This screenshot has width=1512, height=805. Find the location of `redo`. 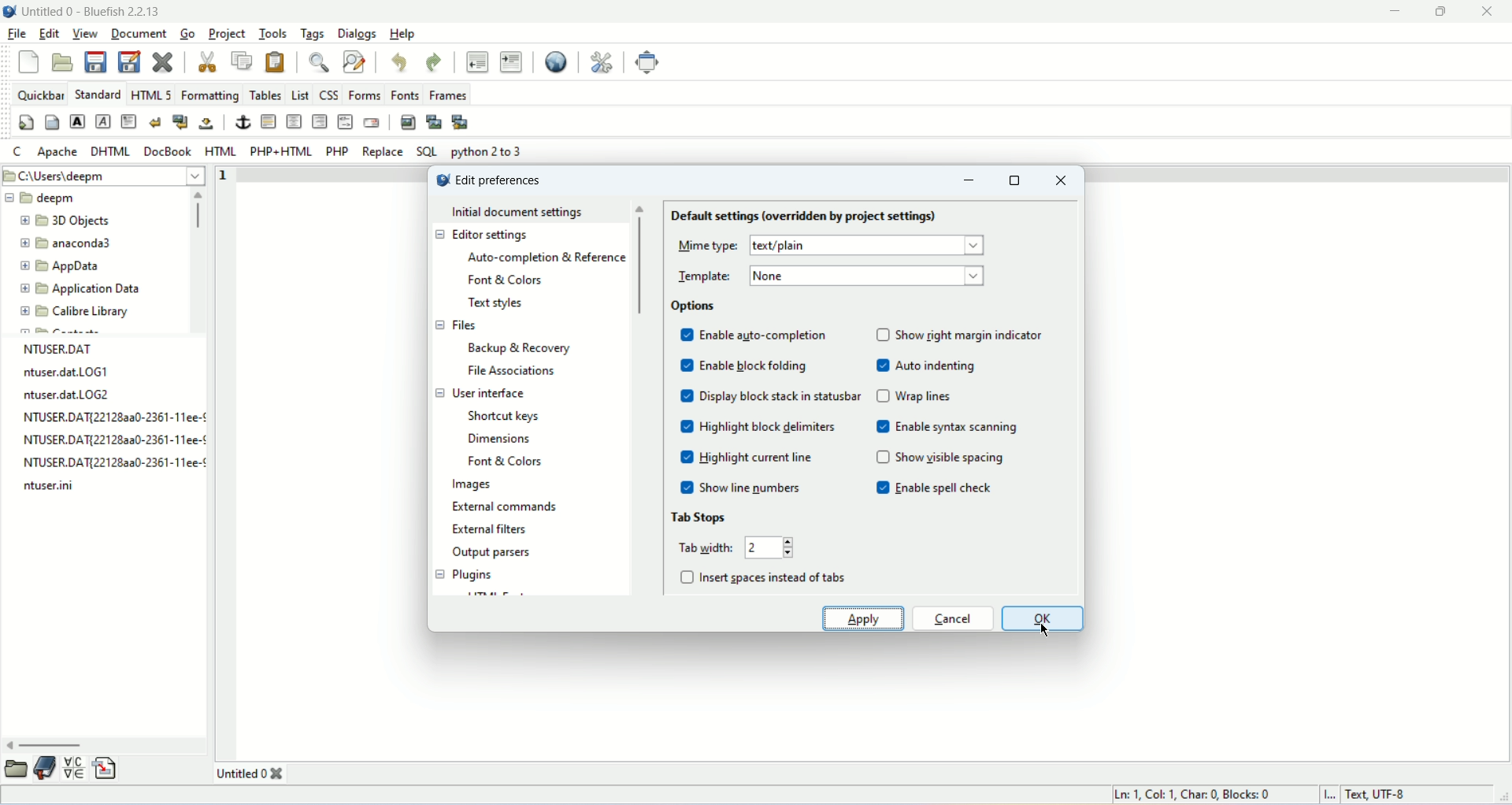

redo is located at coordinates (432, 61).